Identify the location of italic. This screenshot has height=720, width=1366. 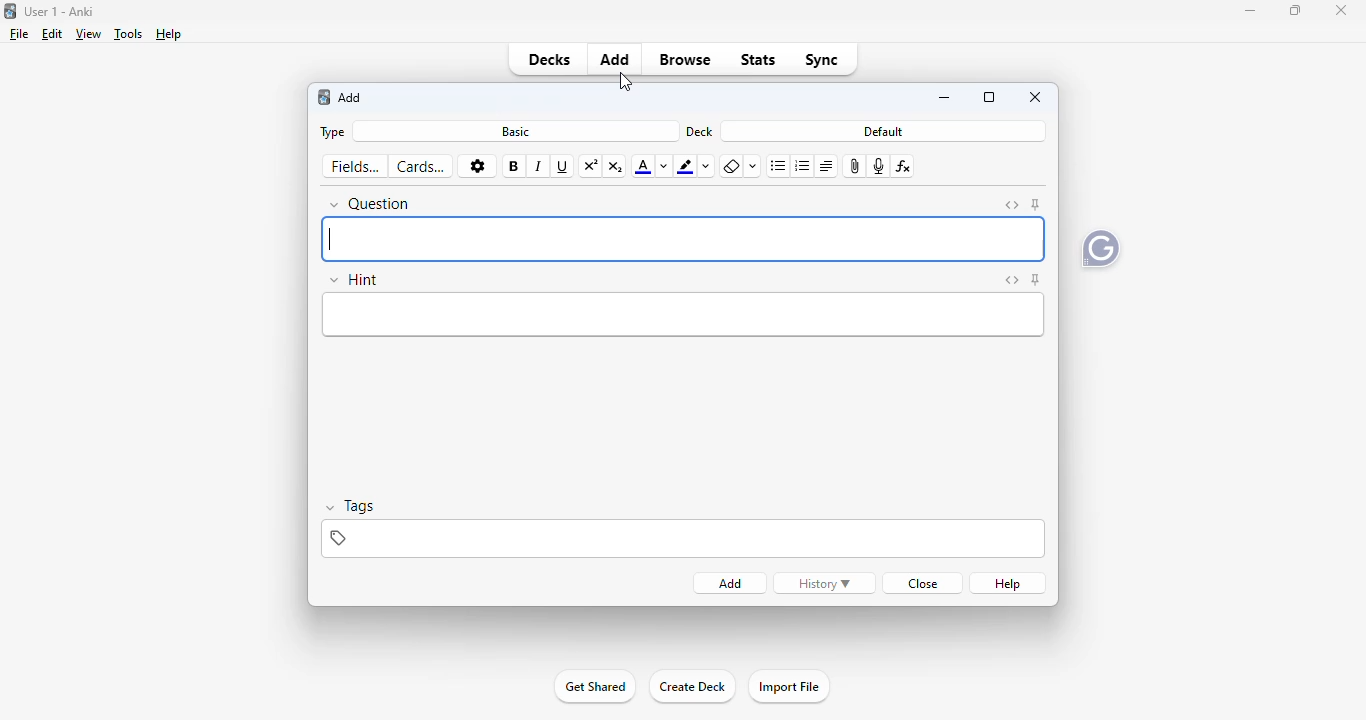
(539, 167).